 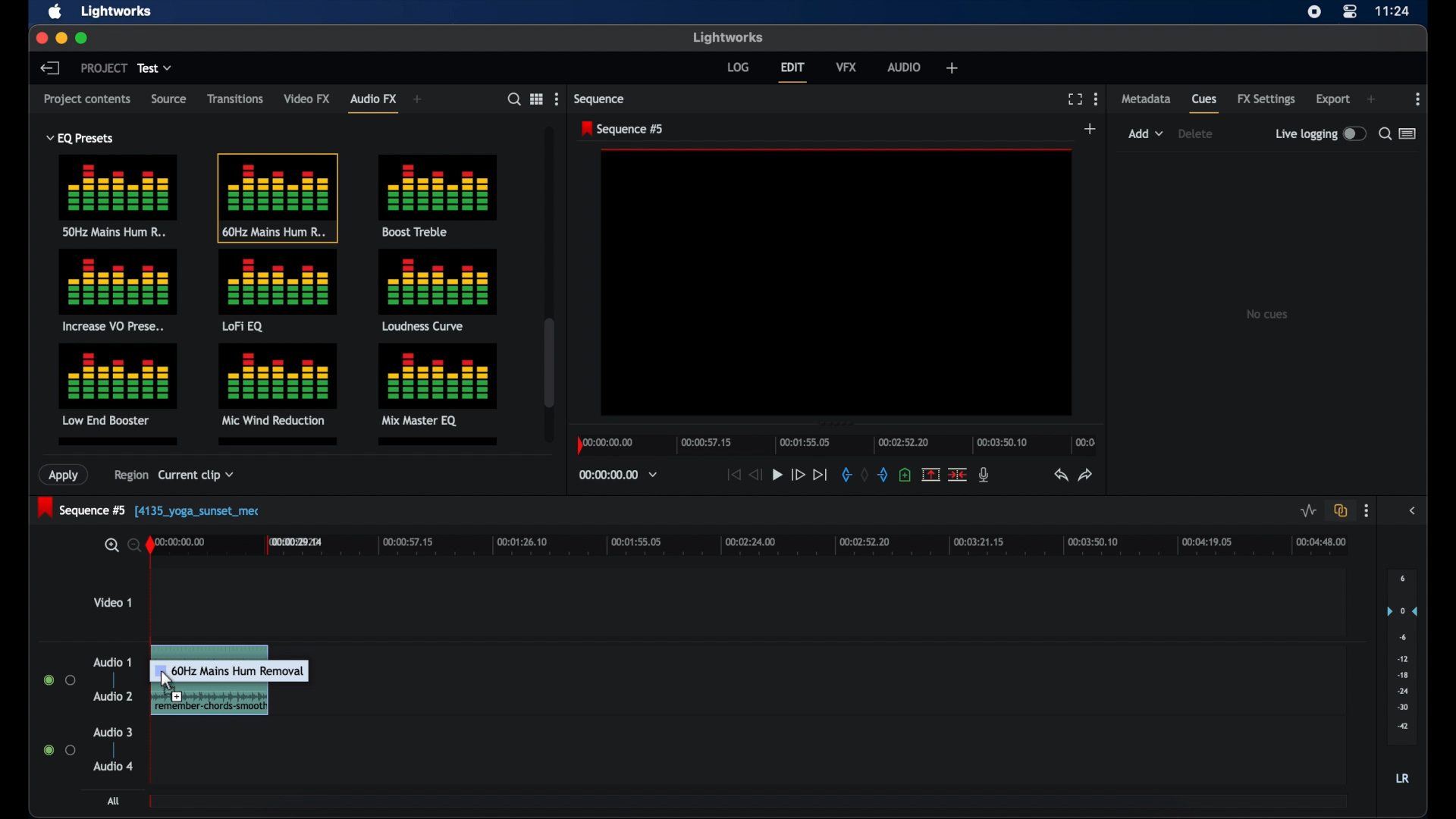 What do you see at coordinates (112, 662) in the screenshot?
I see `audio 1` at bounding box center [112, 662].